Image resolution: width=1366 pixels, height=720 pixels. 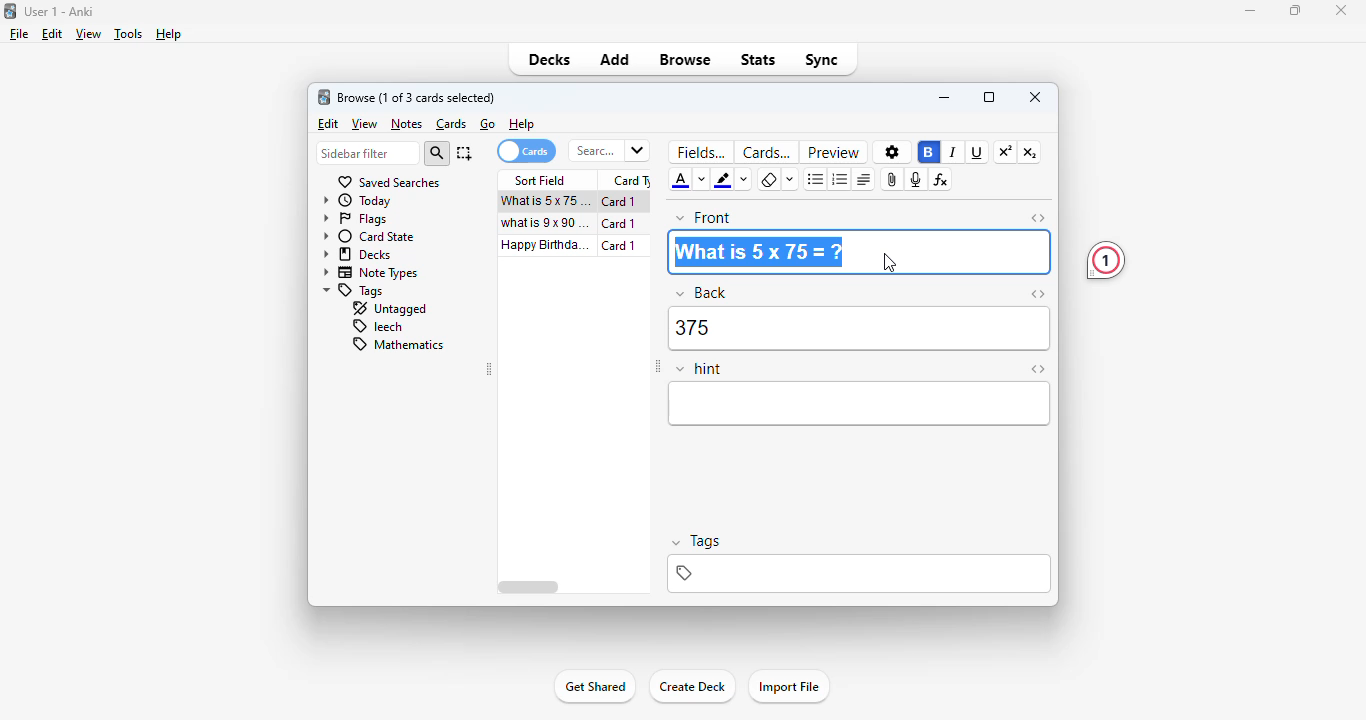 What do you see at coordinates (860, 404) in the screenshot?
I see `editor` at bounding box center [860, 404].